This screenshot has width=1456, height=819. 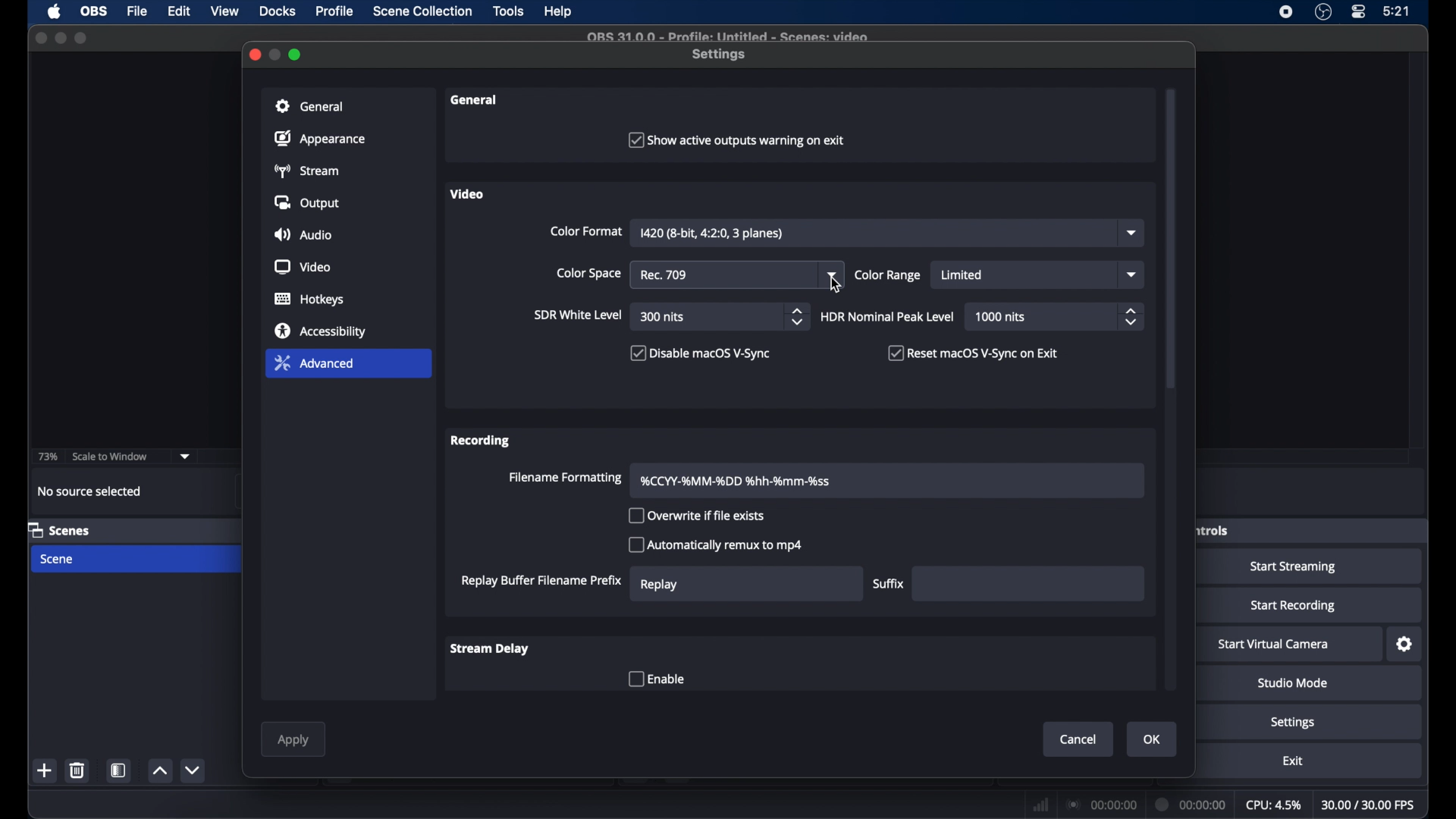 I want to click on scale to window, so click(x=111, y=457).